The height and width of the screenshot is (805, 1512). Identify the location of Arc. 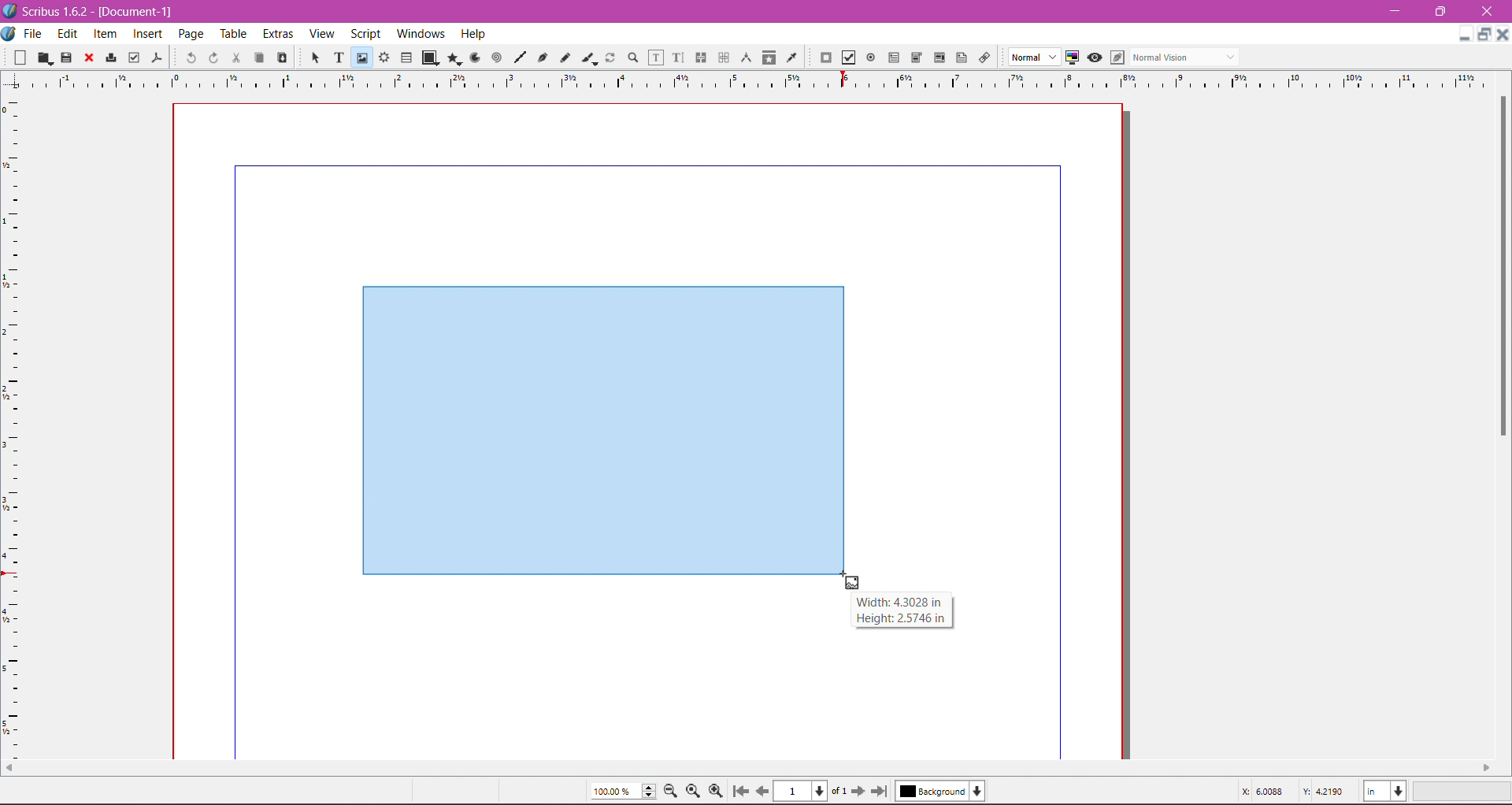
(473, 57).